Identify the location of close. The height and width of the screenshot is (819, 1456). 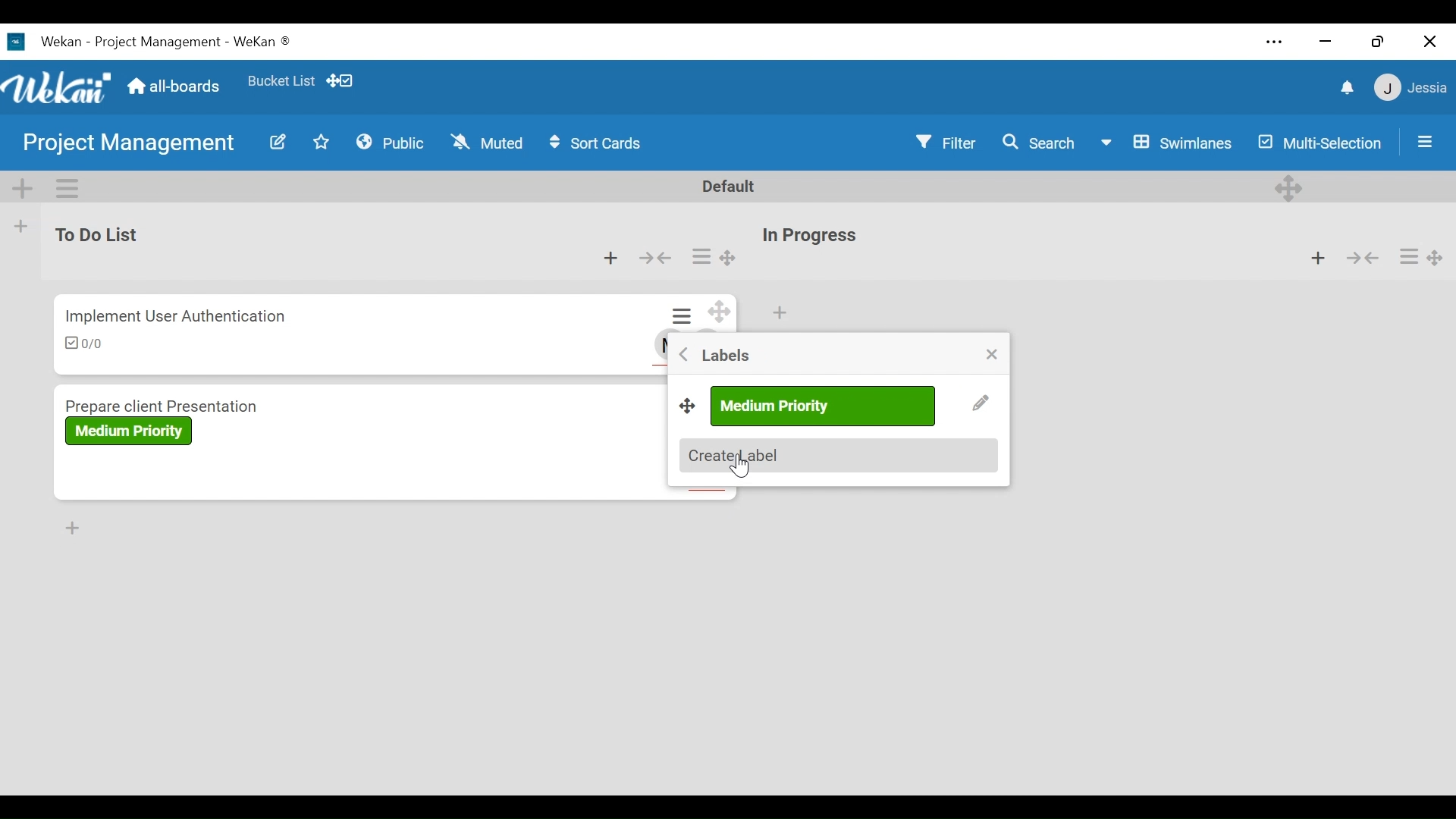
(994, 352).